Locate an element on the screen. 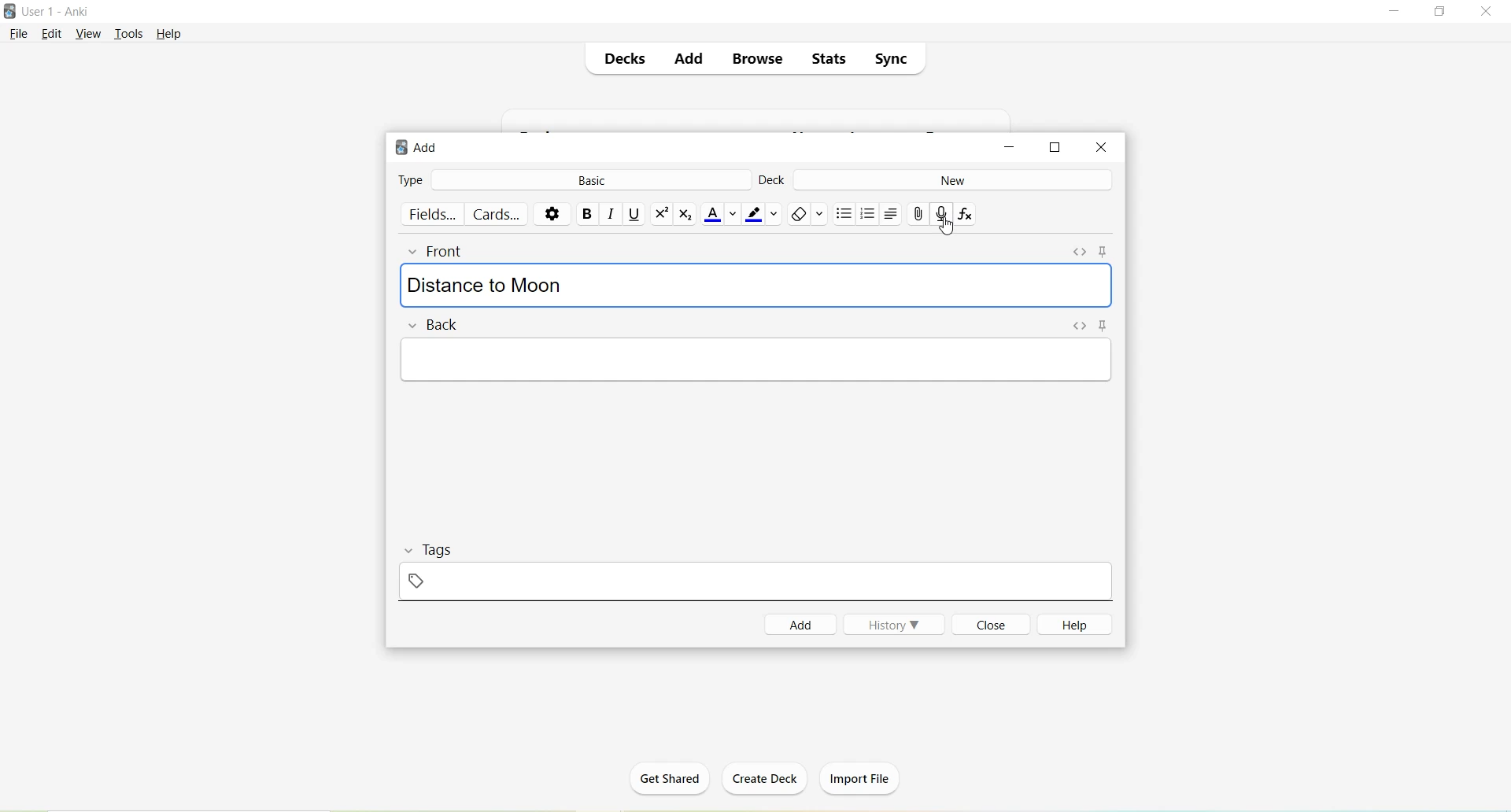 The image size is (1511, 812). Create Deck is located at coordinates (759, 778).